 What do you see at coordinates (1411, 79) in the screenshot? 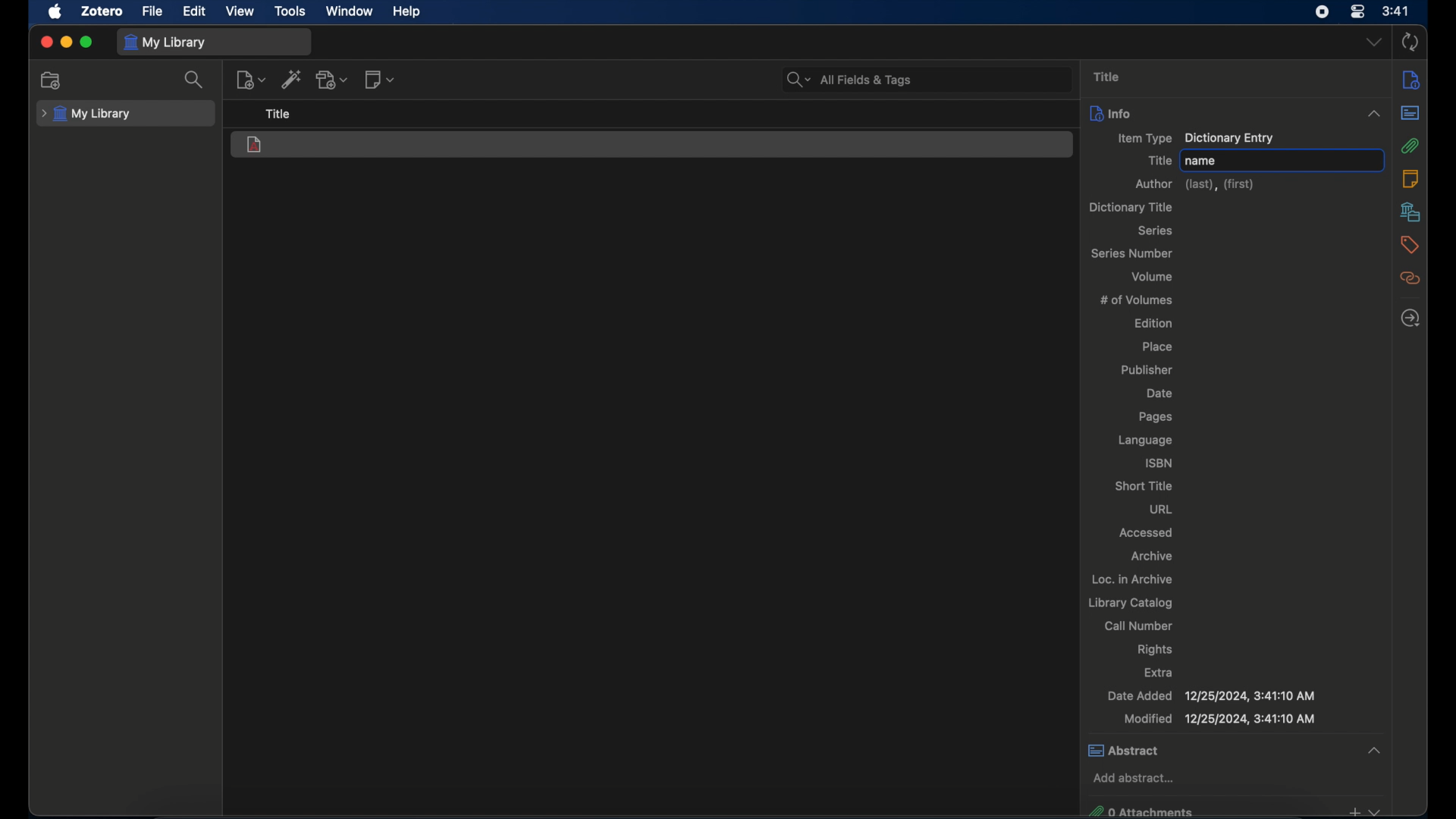
I see `info` at bounding box center [1411, 79].